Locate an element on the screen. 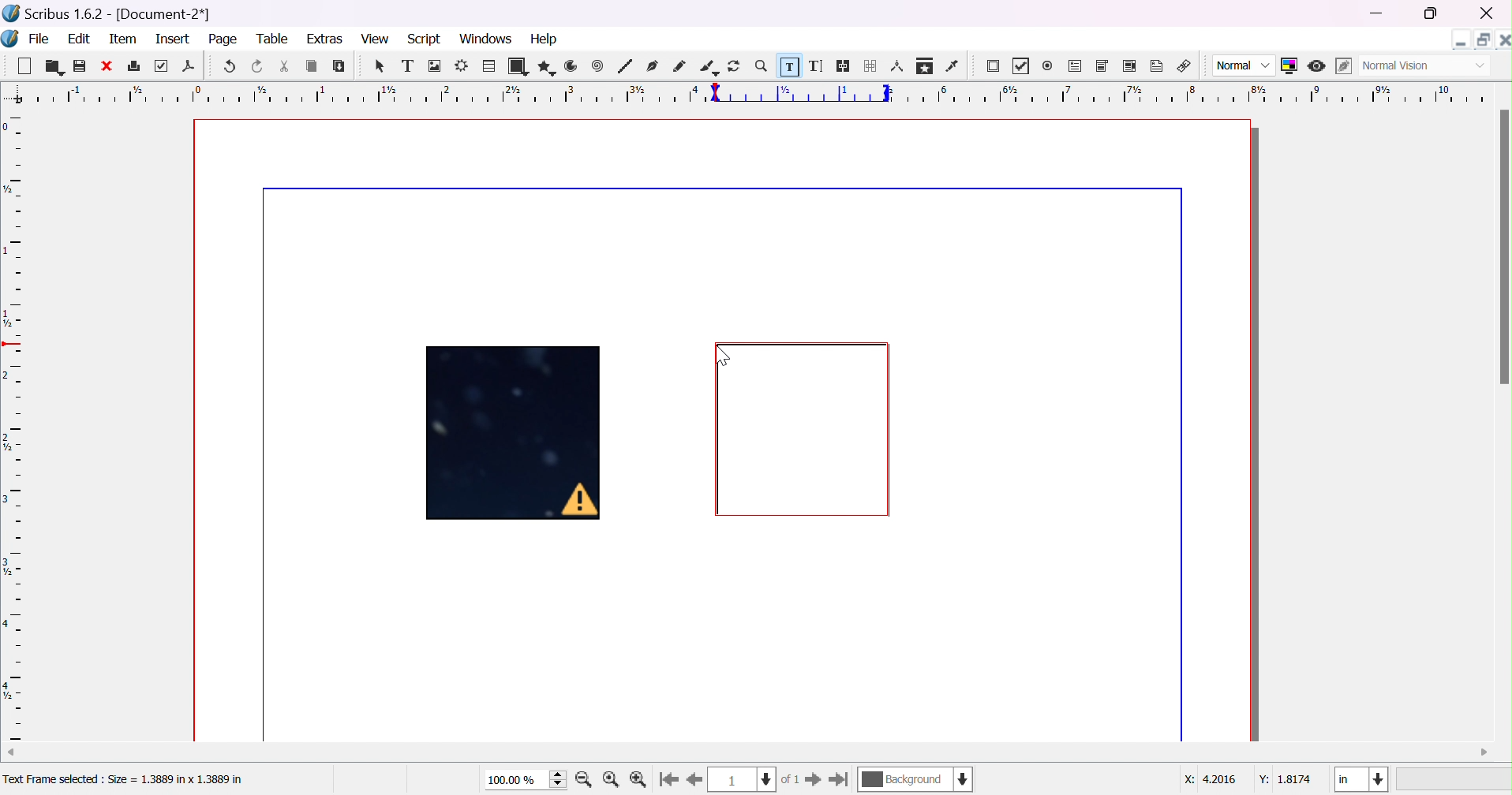  minimize is located at coordinates (1380, 14).